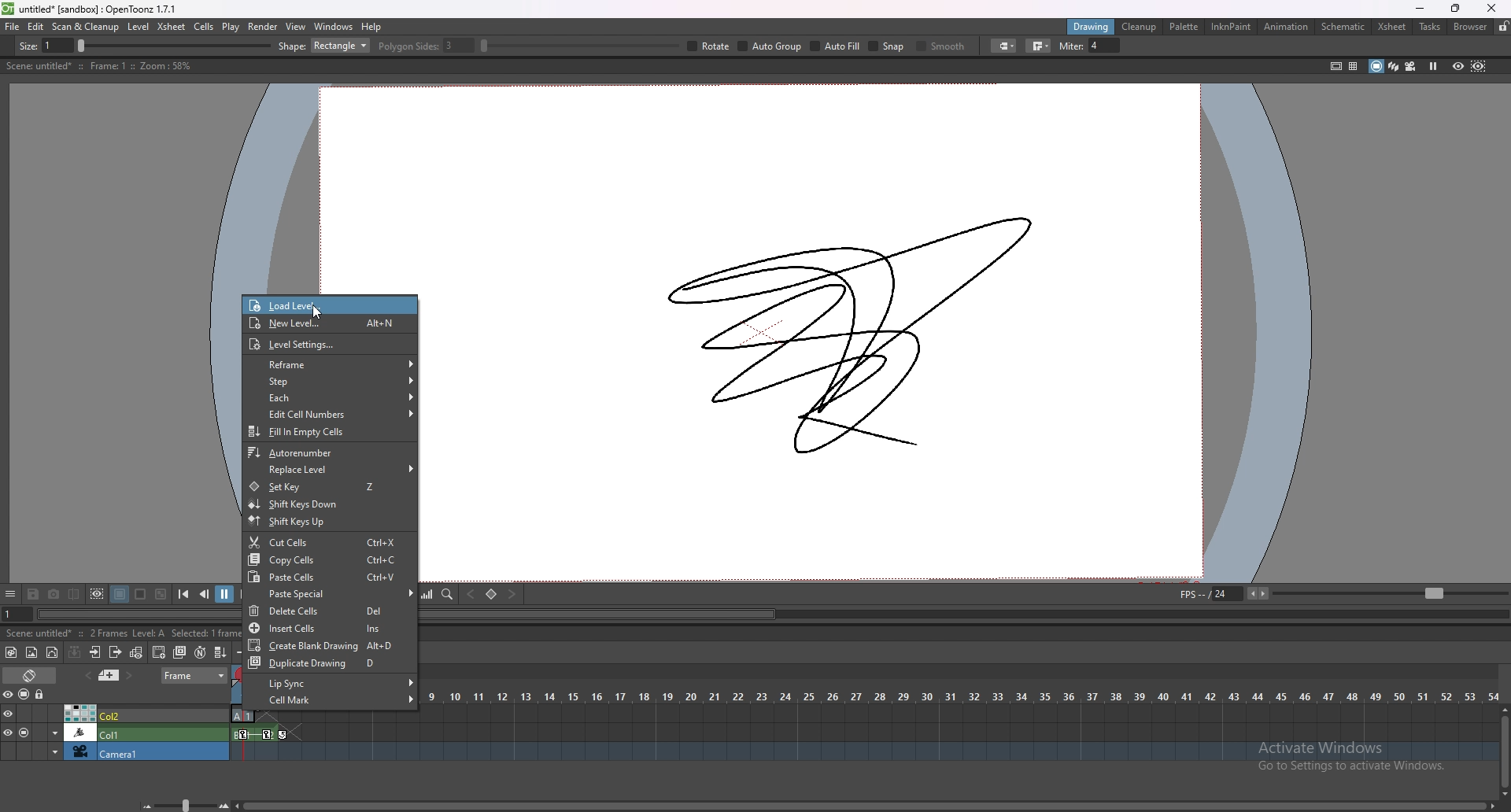  Describe the element at coordinates (1354, 66) in the screenshot. I see `field guide` at that location.